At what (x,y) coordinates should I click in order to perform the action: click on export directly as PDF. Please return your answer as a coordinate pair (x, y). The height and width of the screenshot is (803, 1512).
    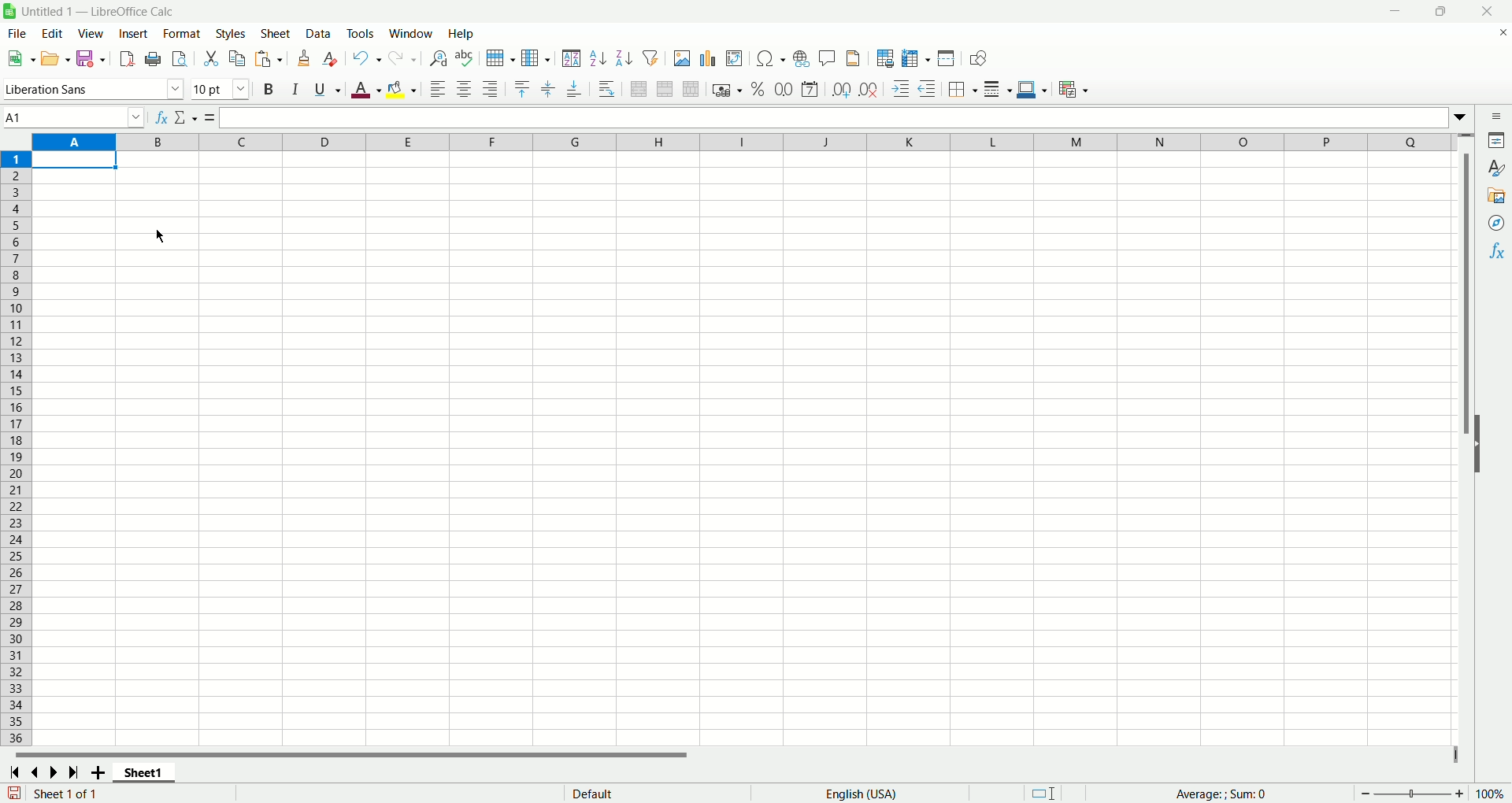
    Looking at the image, I should click on (128, 57).